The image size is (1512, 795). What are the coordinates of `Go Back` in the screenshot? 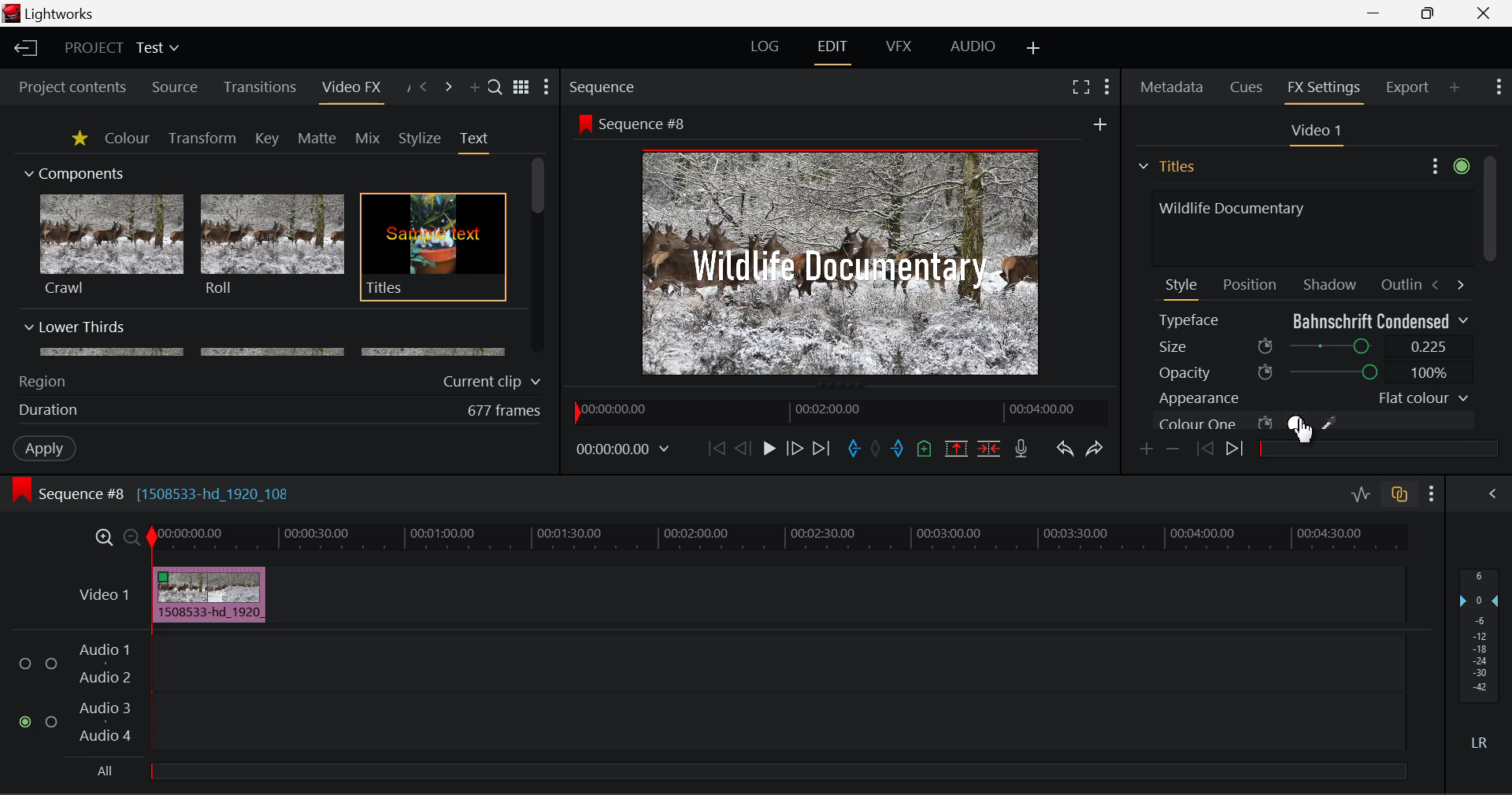 It's located at (743, 448).